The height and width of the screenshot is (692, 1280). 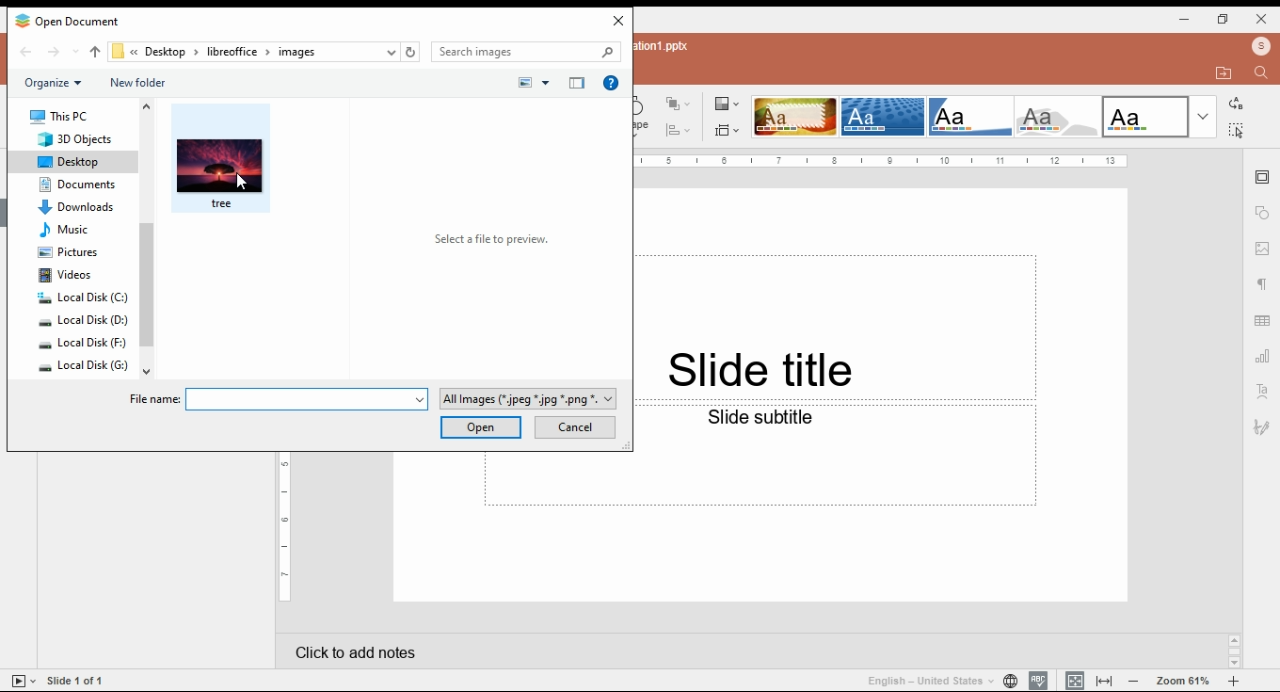 I want to click on text art  settings, so click(x=1262, y=390).